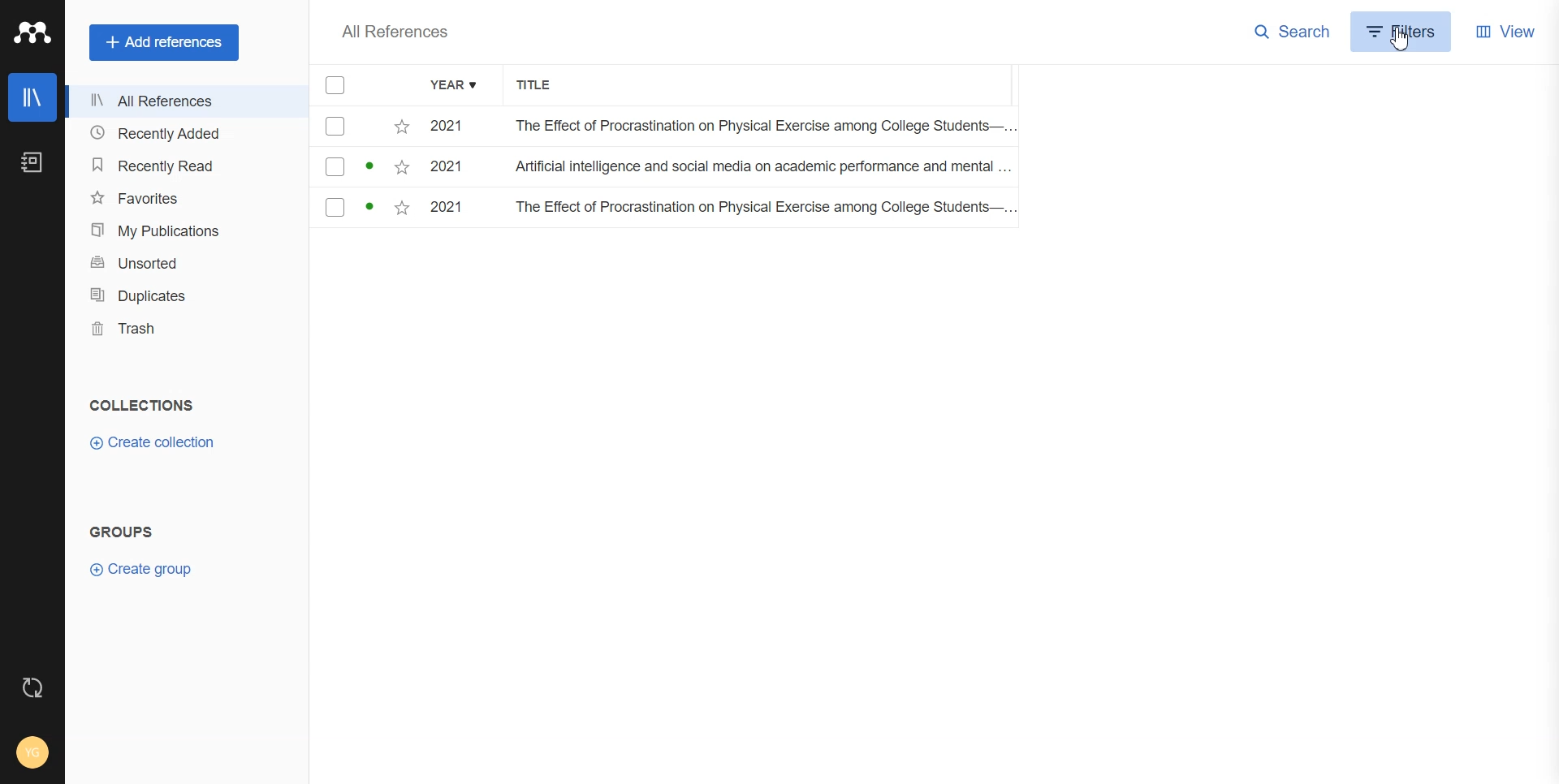  I want to click on My Publication, so click(185, 230).